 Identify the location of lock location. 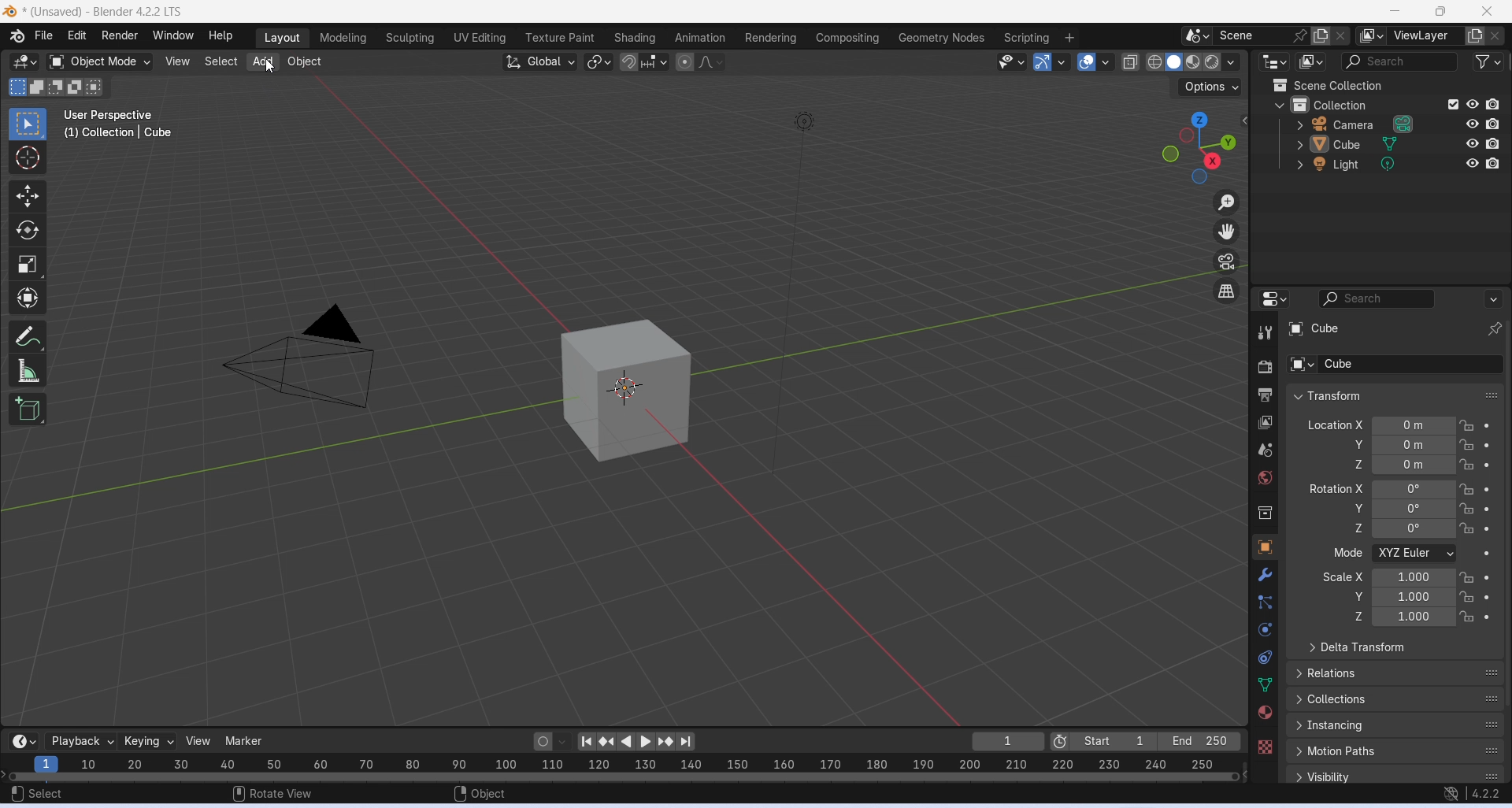
(1467, 596).